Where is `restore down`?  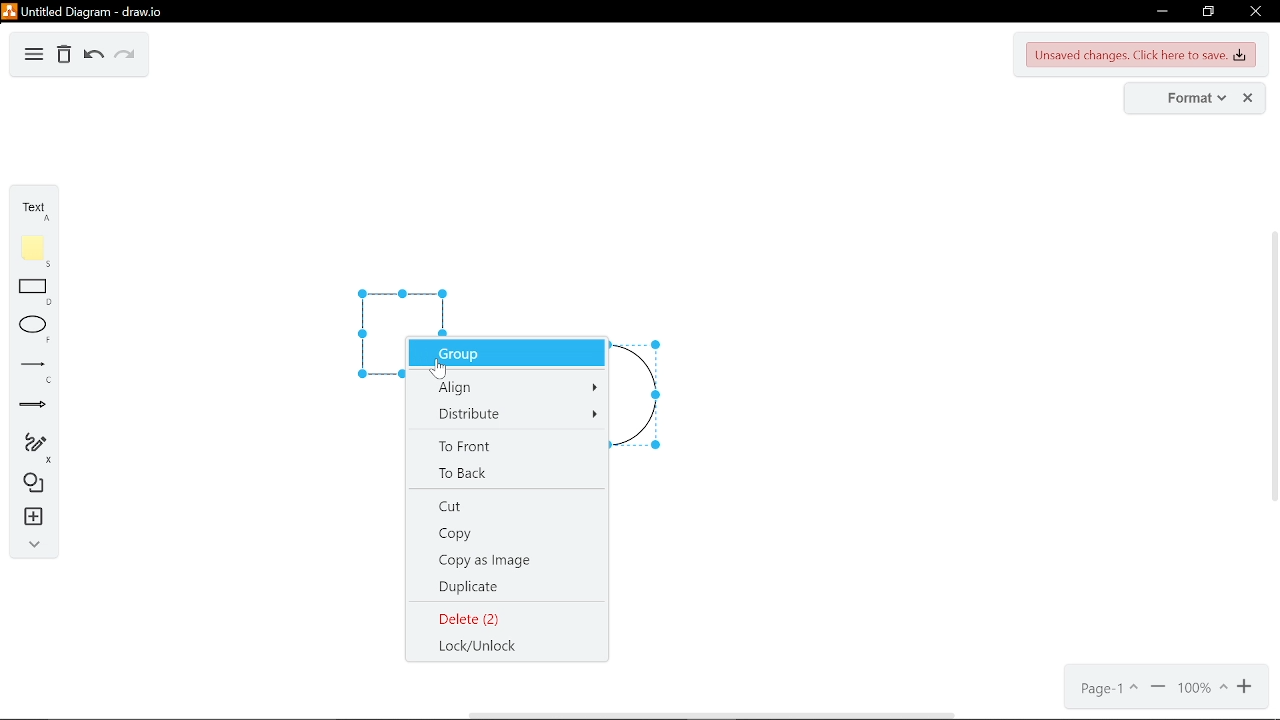
restore down is located at coordinates (1207, 13).